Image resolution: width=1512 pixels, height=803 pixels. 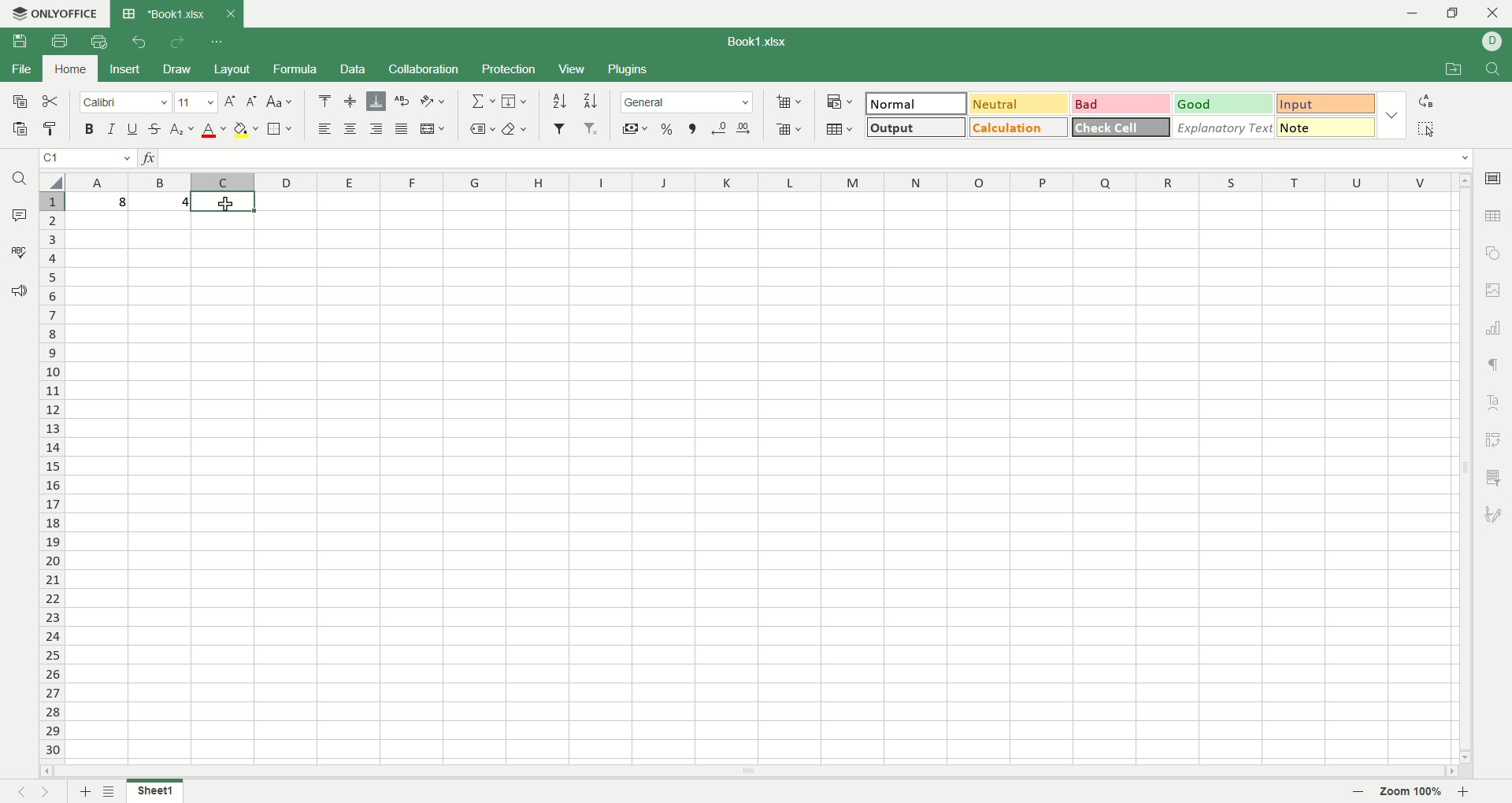 I want to click on pivot table settings, so click(x=1495, y=440).